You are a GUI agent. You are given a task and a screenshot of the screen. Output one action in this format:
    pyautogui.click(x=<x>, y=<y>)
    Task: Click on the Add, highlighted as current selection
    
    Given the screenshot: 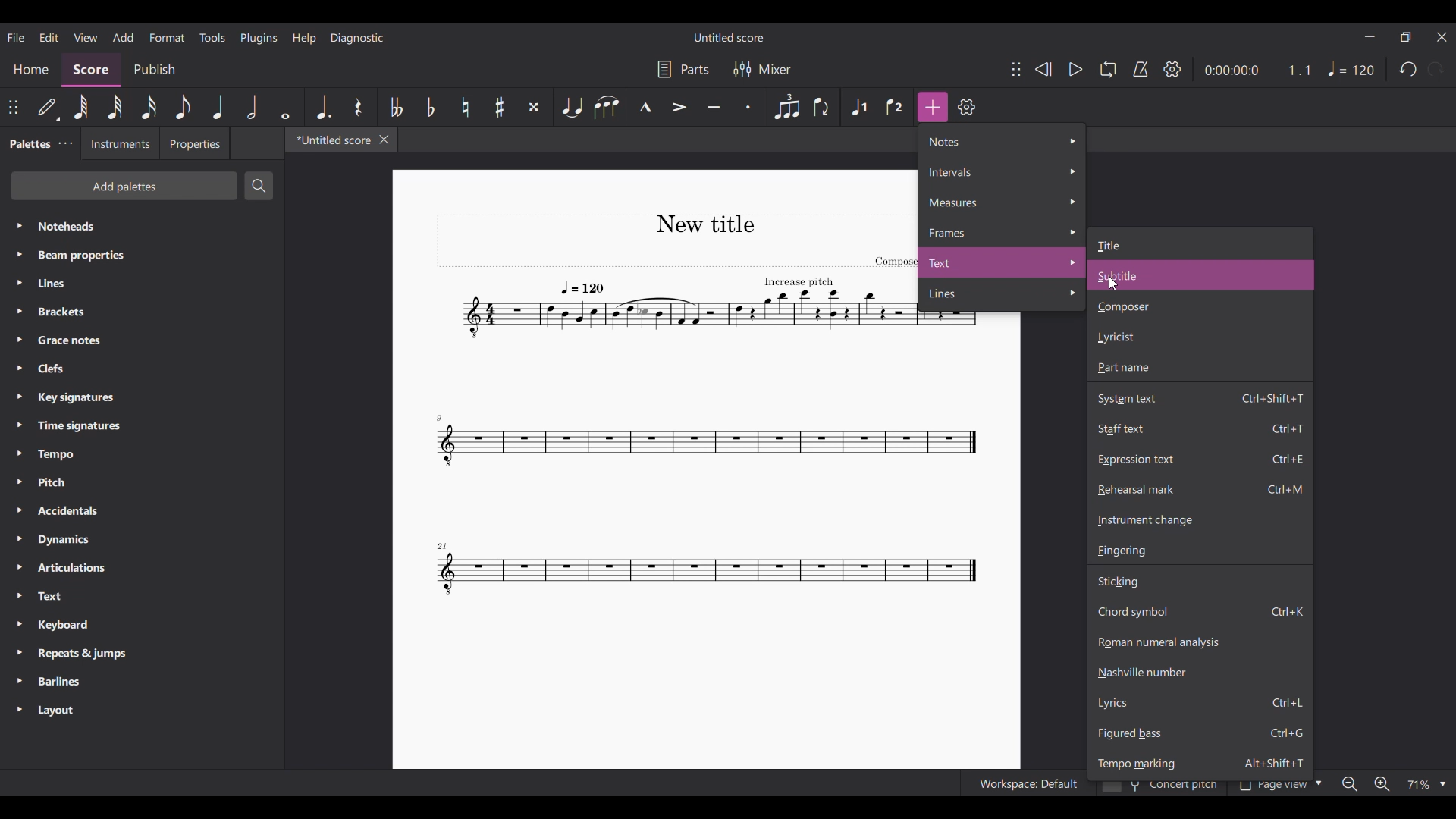 What is the action you would take?
    pyautogui.click(x=933, y=107)
    